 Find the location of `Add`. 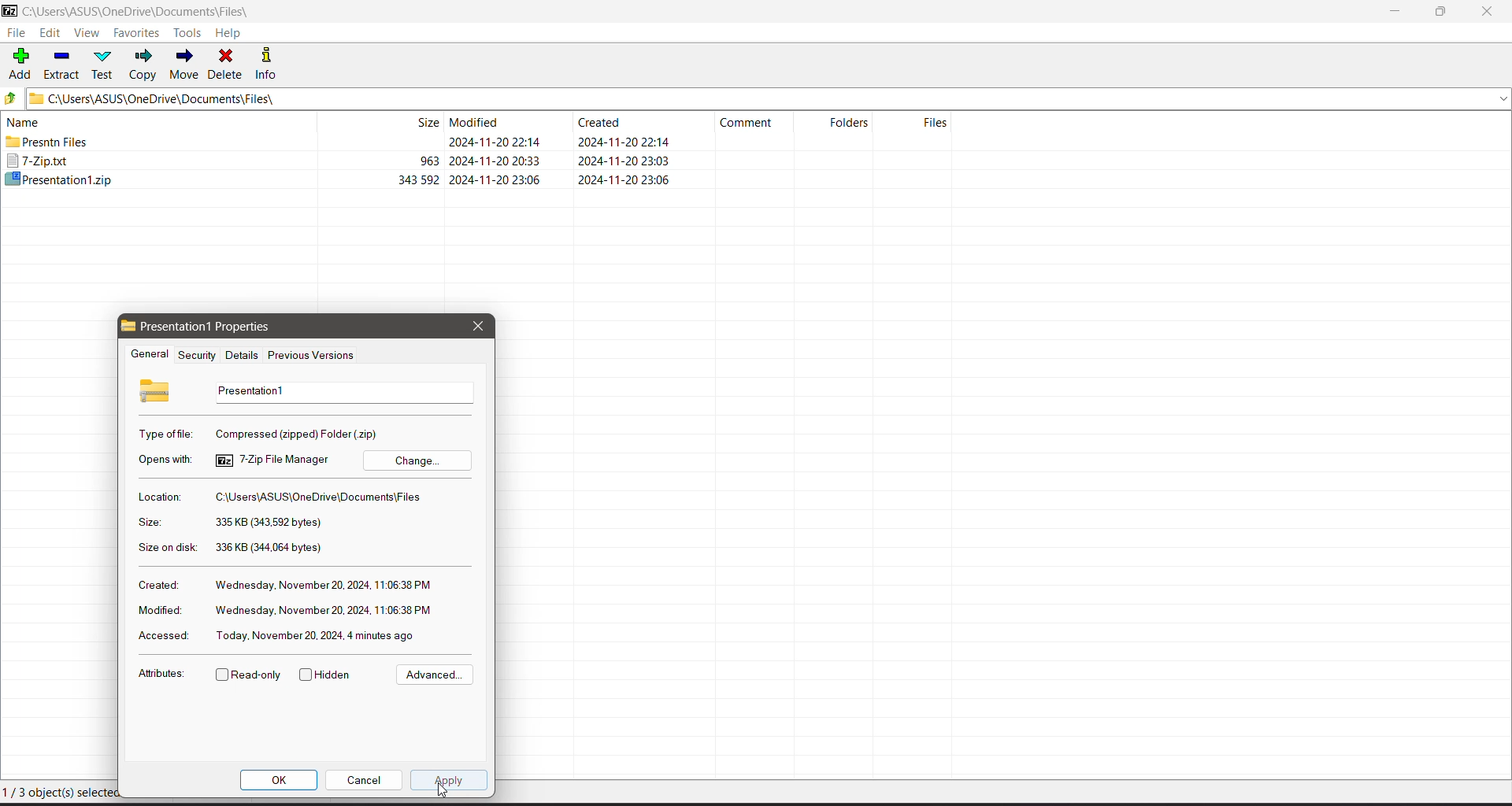

Add is located at coordinates (20, 62).